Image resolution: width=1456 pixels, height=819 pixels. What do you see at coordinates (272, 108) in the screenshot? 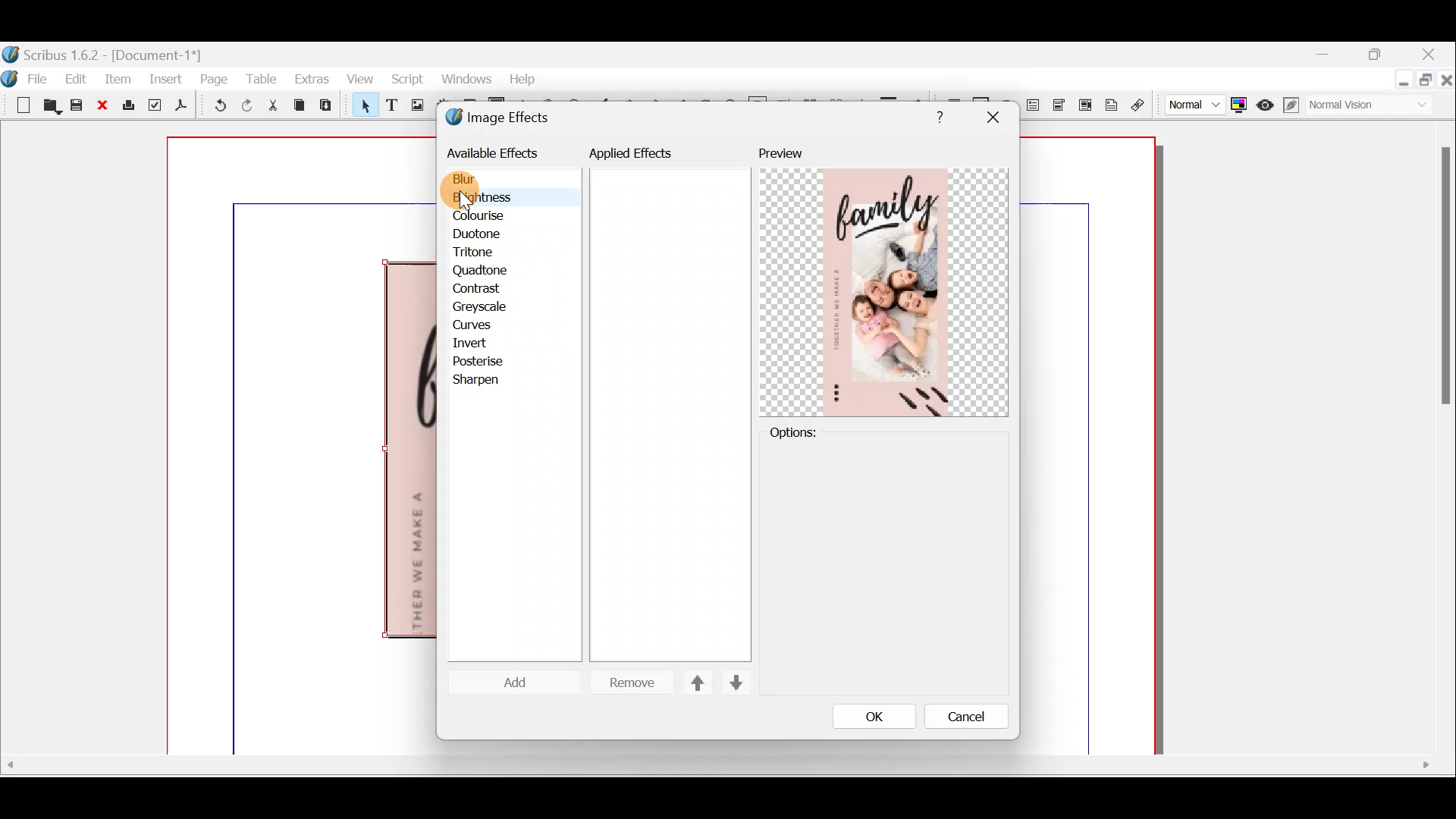
I see `Cut` at bounding box center [272, 108].